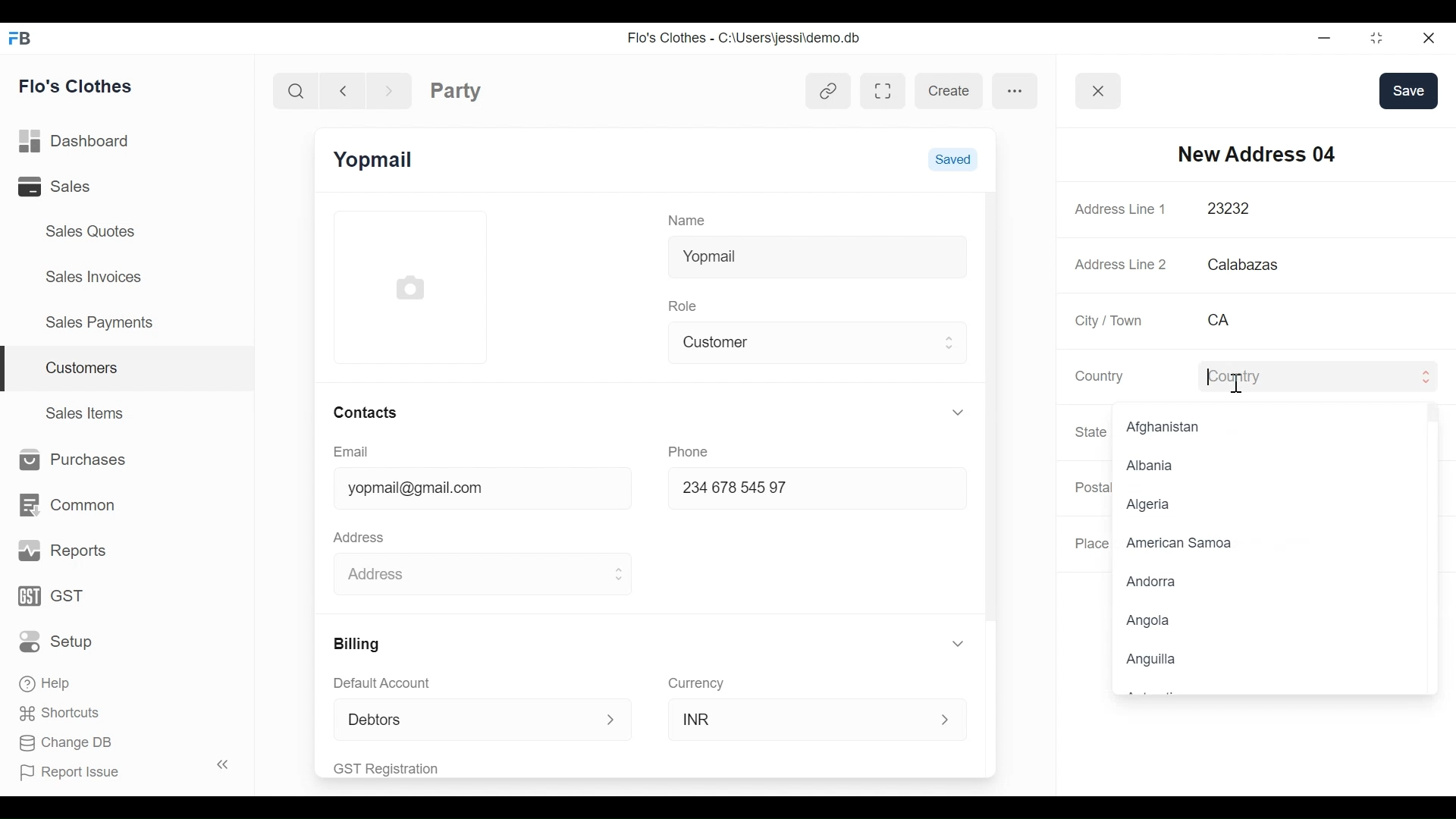 The height and width of the screenshot is (819, 1456). Describe the element at coordinates (1299, 320) in the screenshot. I see `CA` at that location.